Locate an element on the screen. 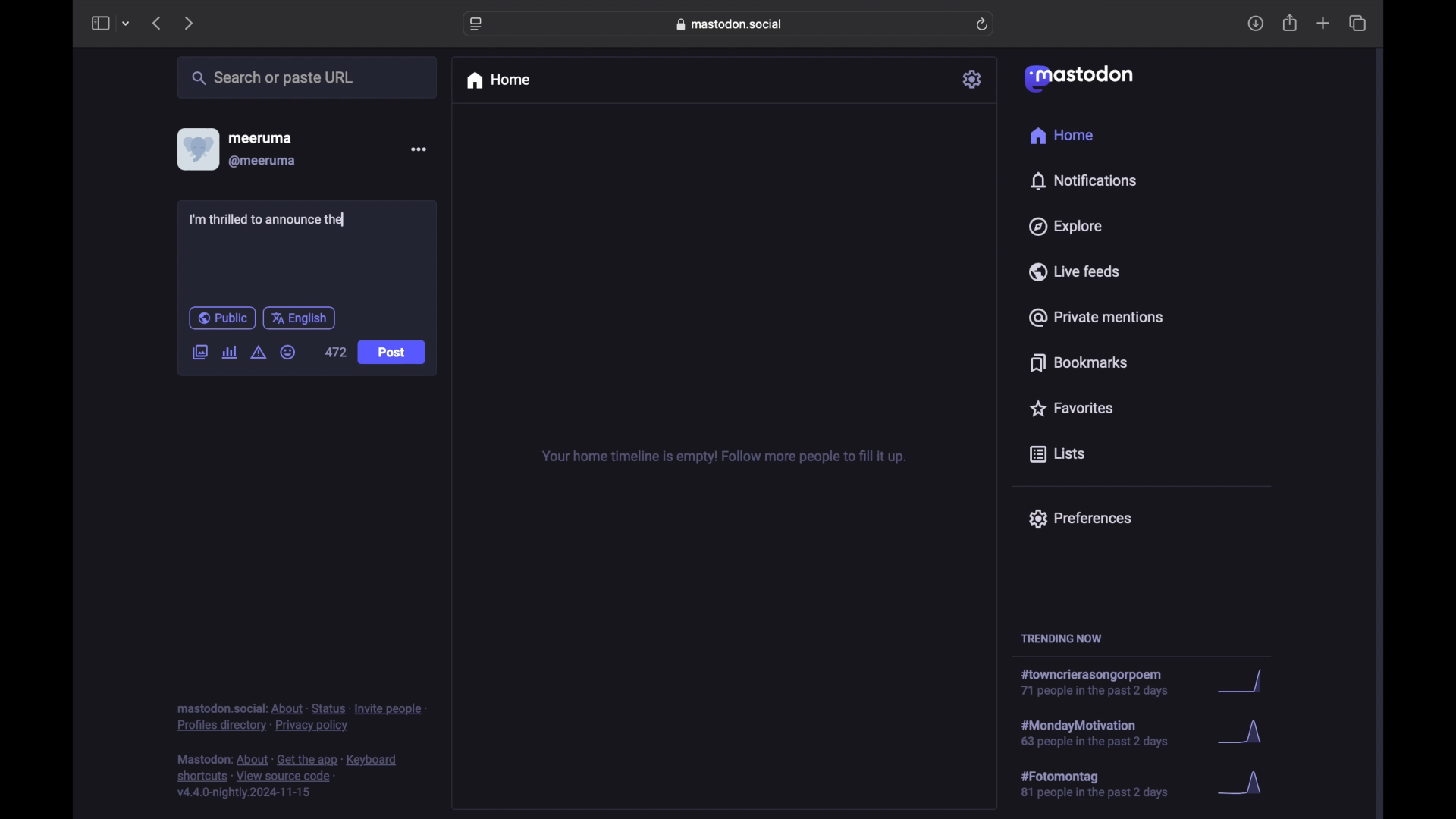 This screenshot has height=819, width=1456. home is located at coordinates (1063, 135).